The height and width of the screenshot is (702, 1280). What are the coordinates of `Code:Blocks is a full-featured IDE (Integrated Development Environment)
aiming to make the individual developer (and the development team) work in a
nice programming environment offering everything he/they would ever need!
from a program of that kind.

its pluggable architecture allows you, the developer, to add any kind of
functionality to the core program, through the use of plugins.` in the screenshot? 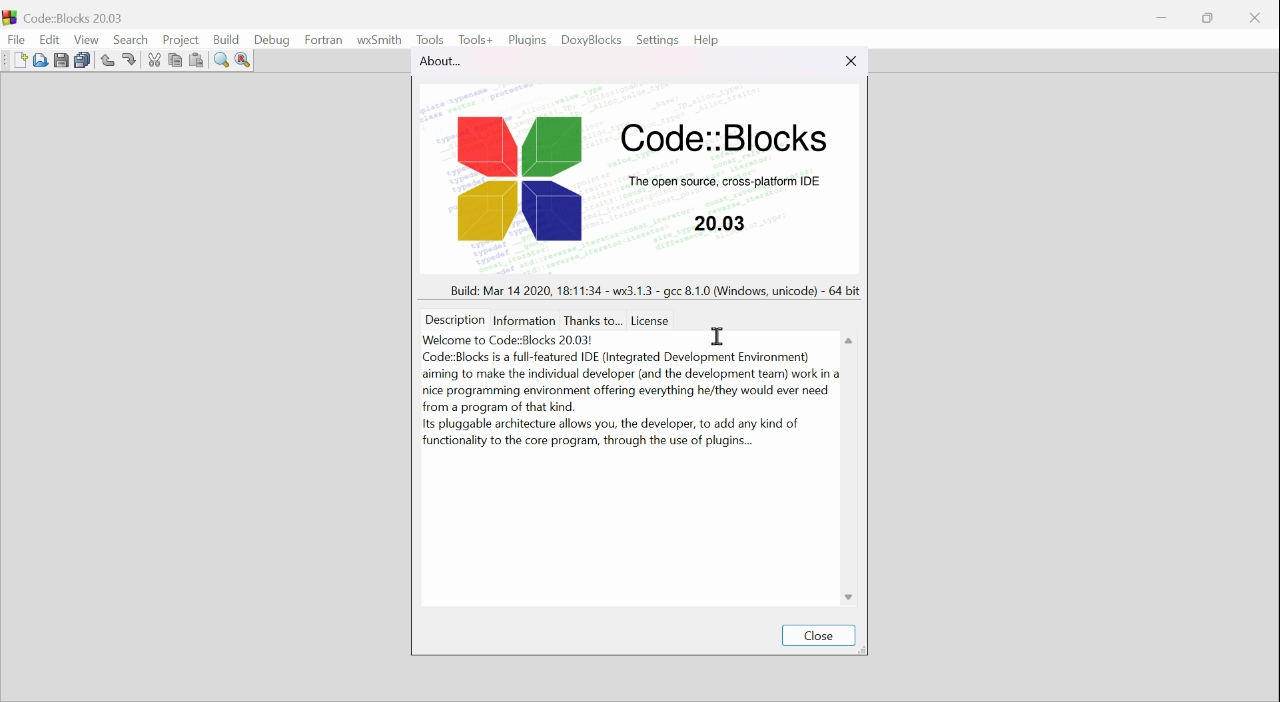 It's located at (631, 400).